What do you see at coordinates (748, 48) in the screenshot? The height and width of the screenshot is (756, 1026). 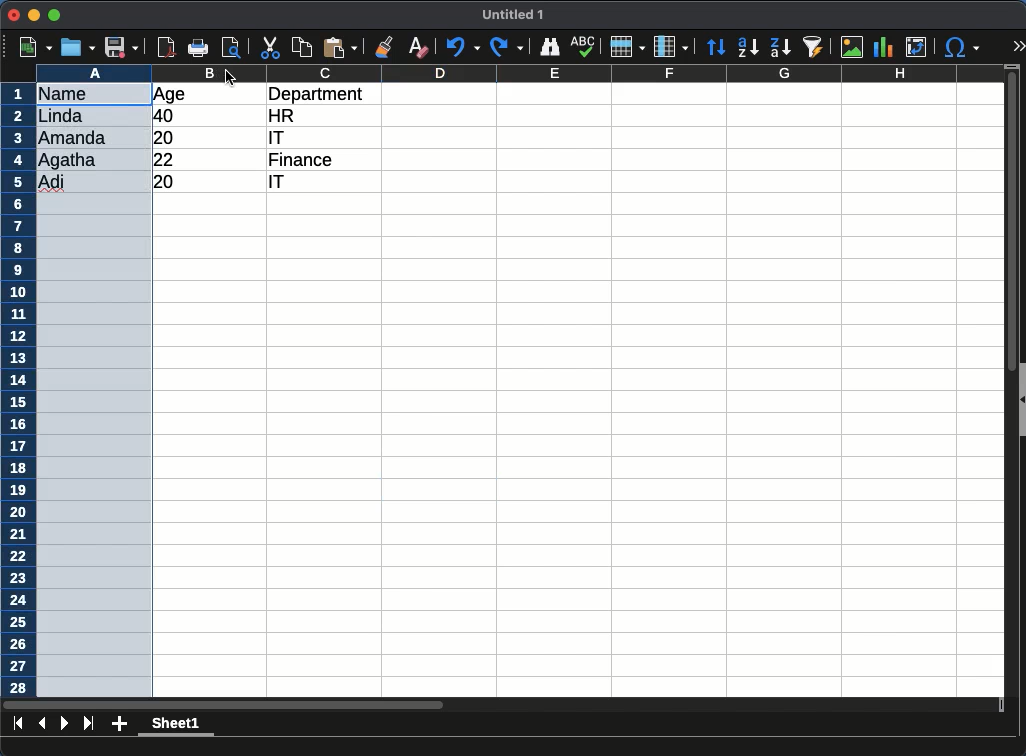 I see `descending` at bounding box center [748, 48].